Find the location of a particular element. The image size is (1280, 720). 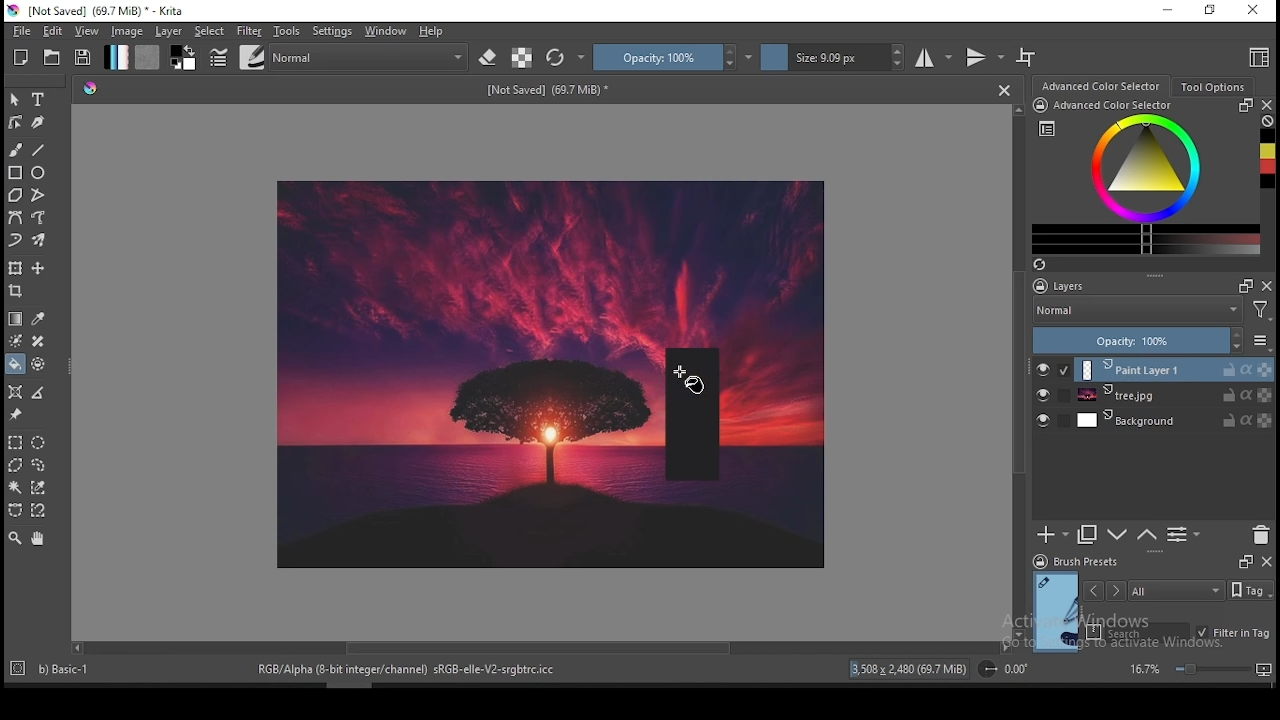

image is located at coordinates (782, 411).